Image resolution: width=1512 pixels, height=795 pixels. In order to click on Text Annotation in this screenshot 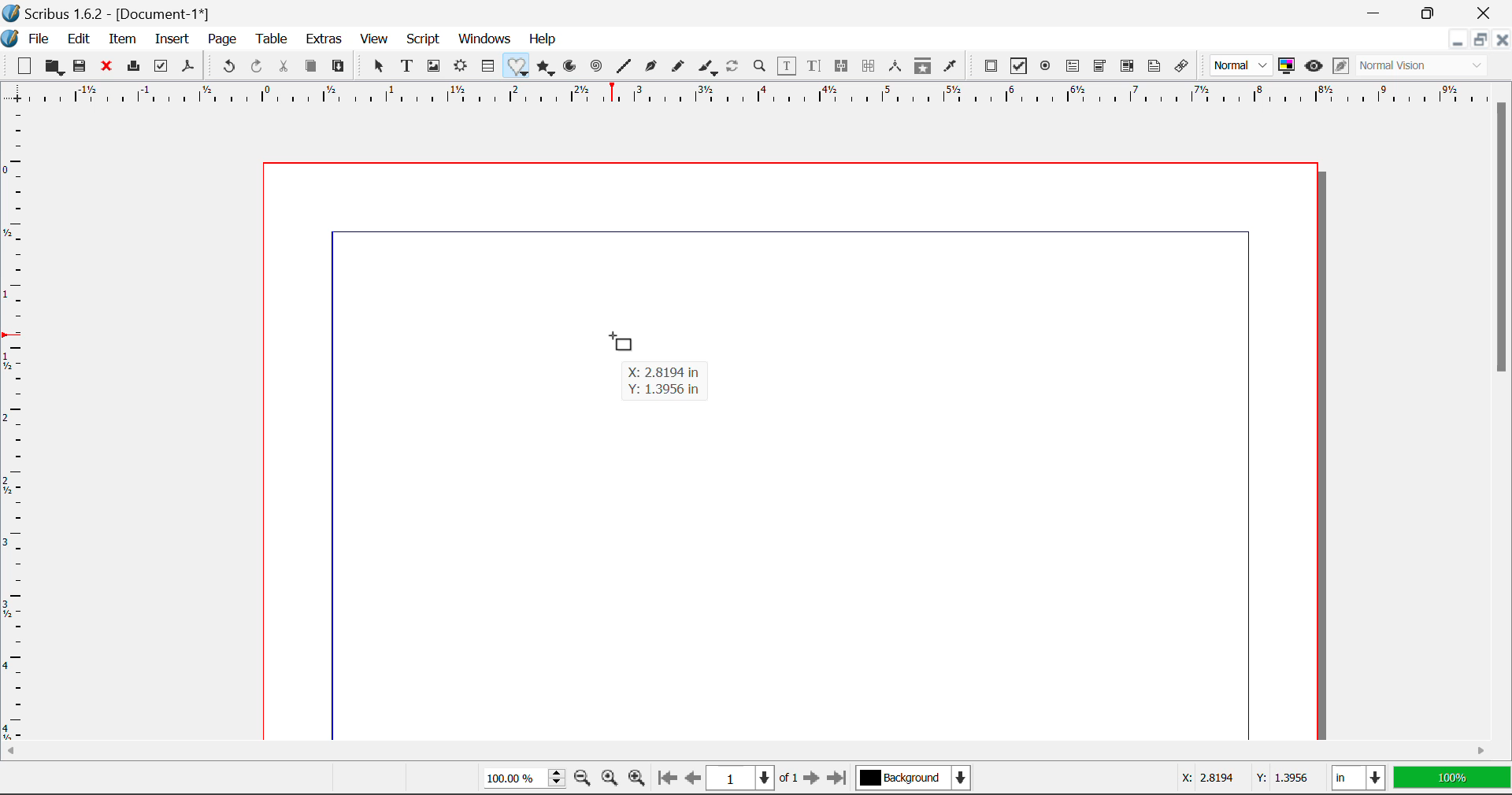, I will do `click(1153, 67)`.